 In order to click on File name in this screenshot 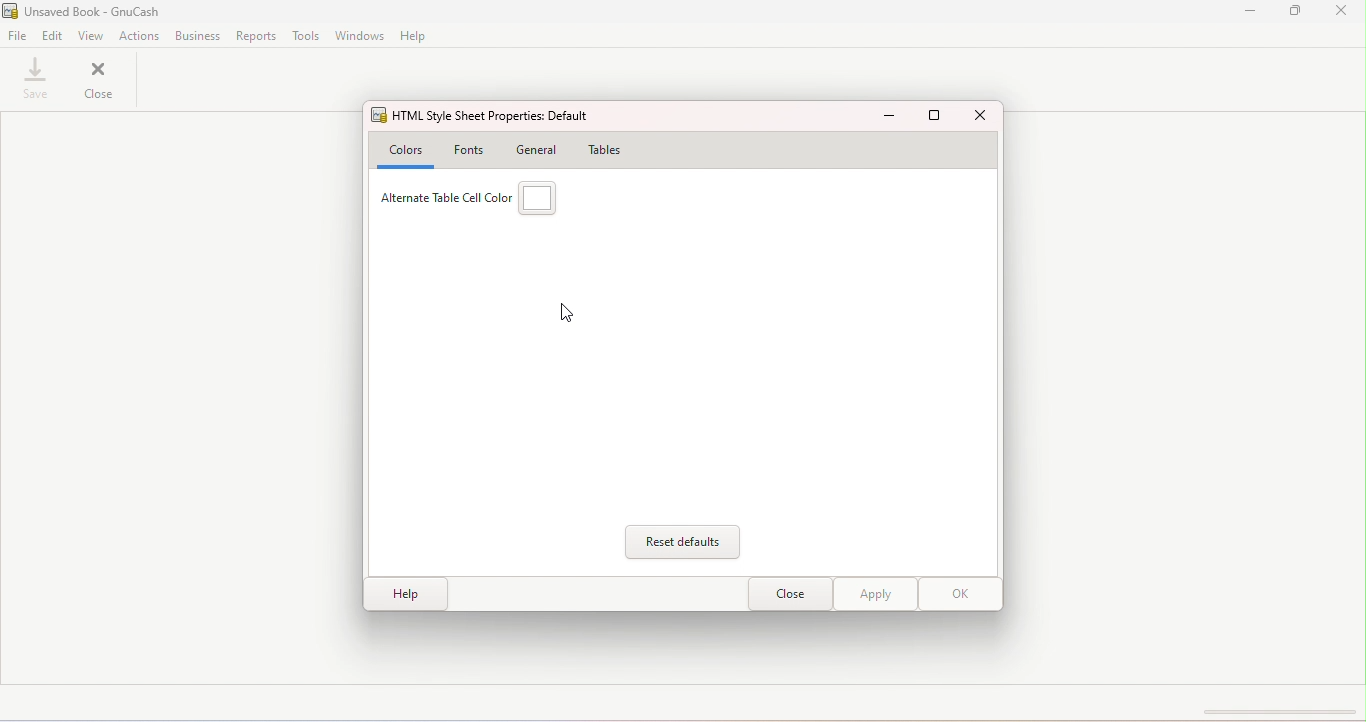, I will do `click(89, 13)`.